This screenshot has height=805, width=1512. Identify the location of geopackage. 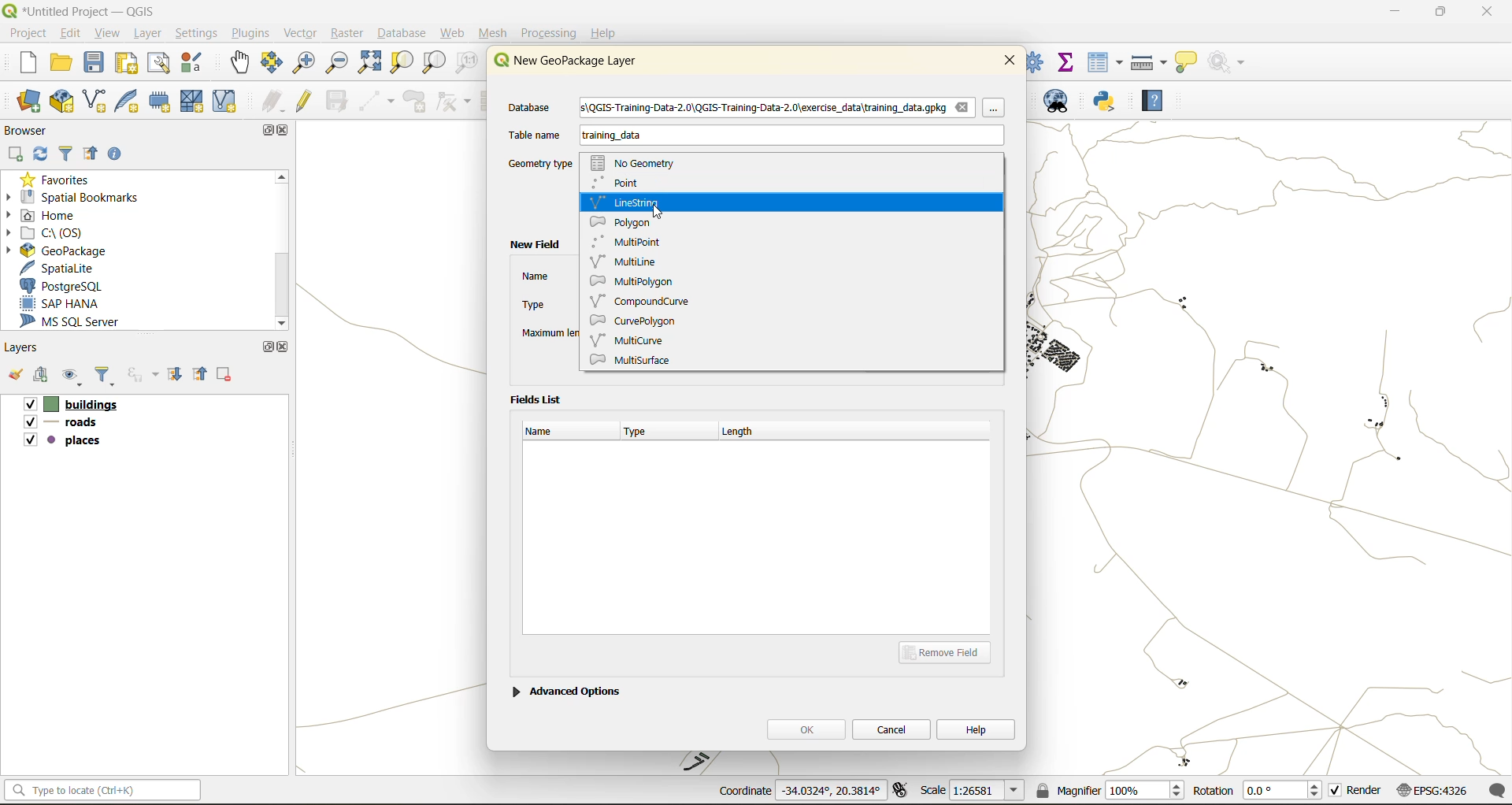
(55, 249).